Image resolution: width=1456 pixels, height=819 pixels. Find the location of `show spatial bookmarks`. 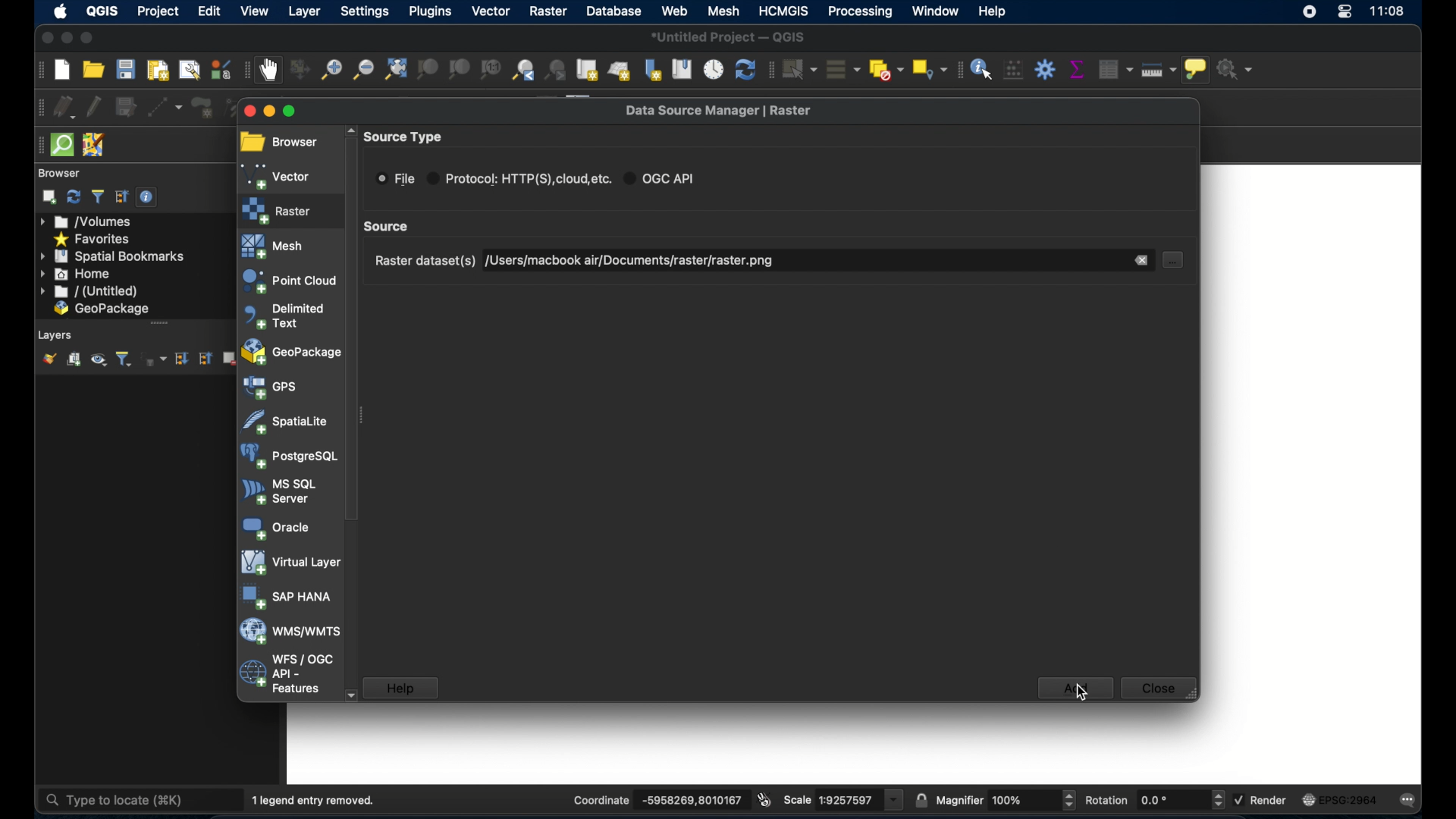

show spatial bookmarks is located at coordinates (681, 69).